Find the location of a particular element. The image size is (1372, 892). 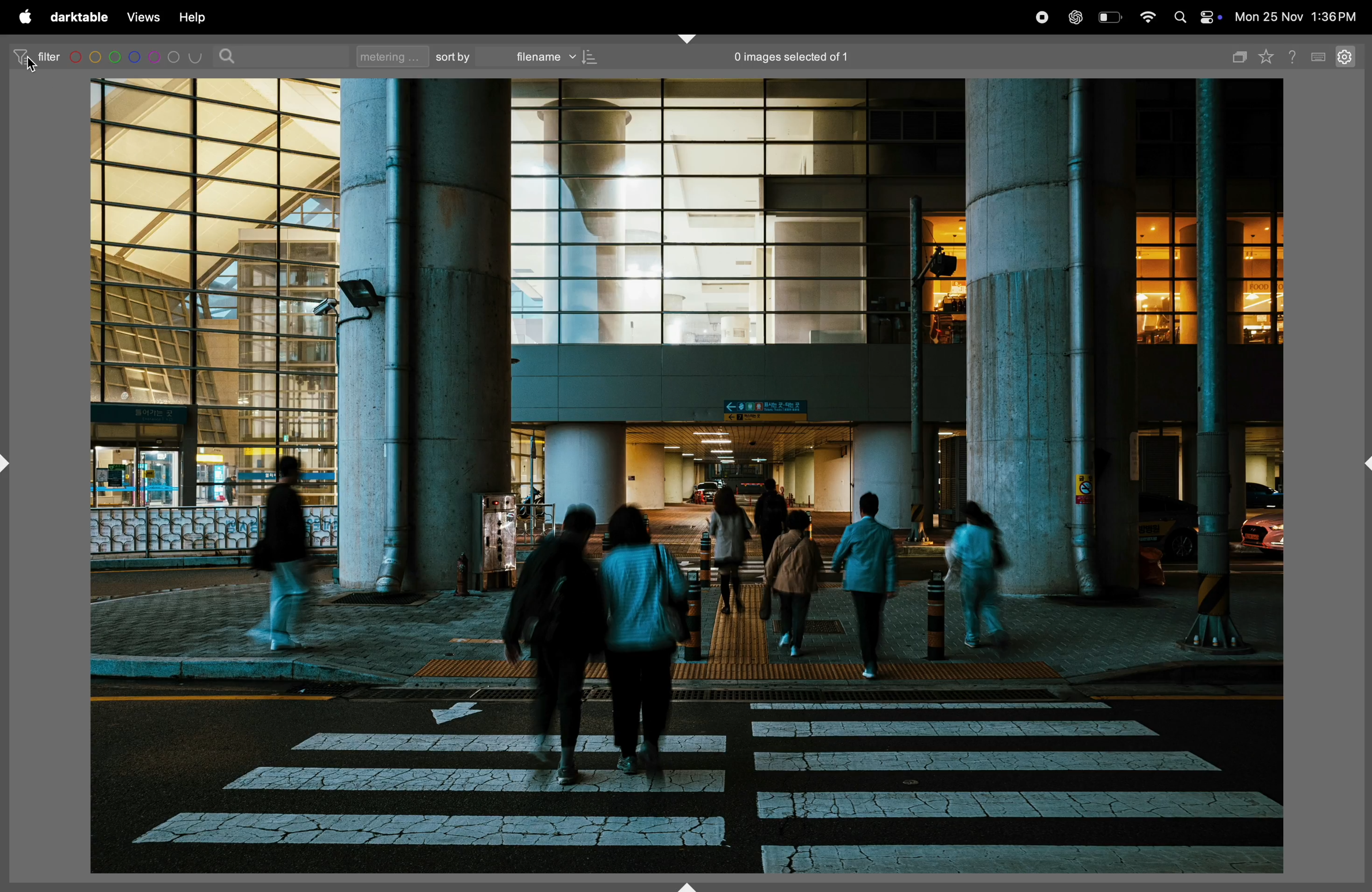

keyboard is located at coordinates (1320, 55).